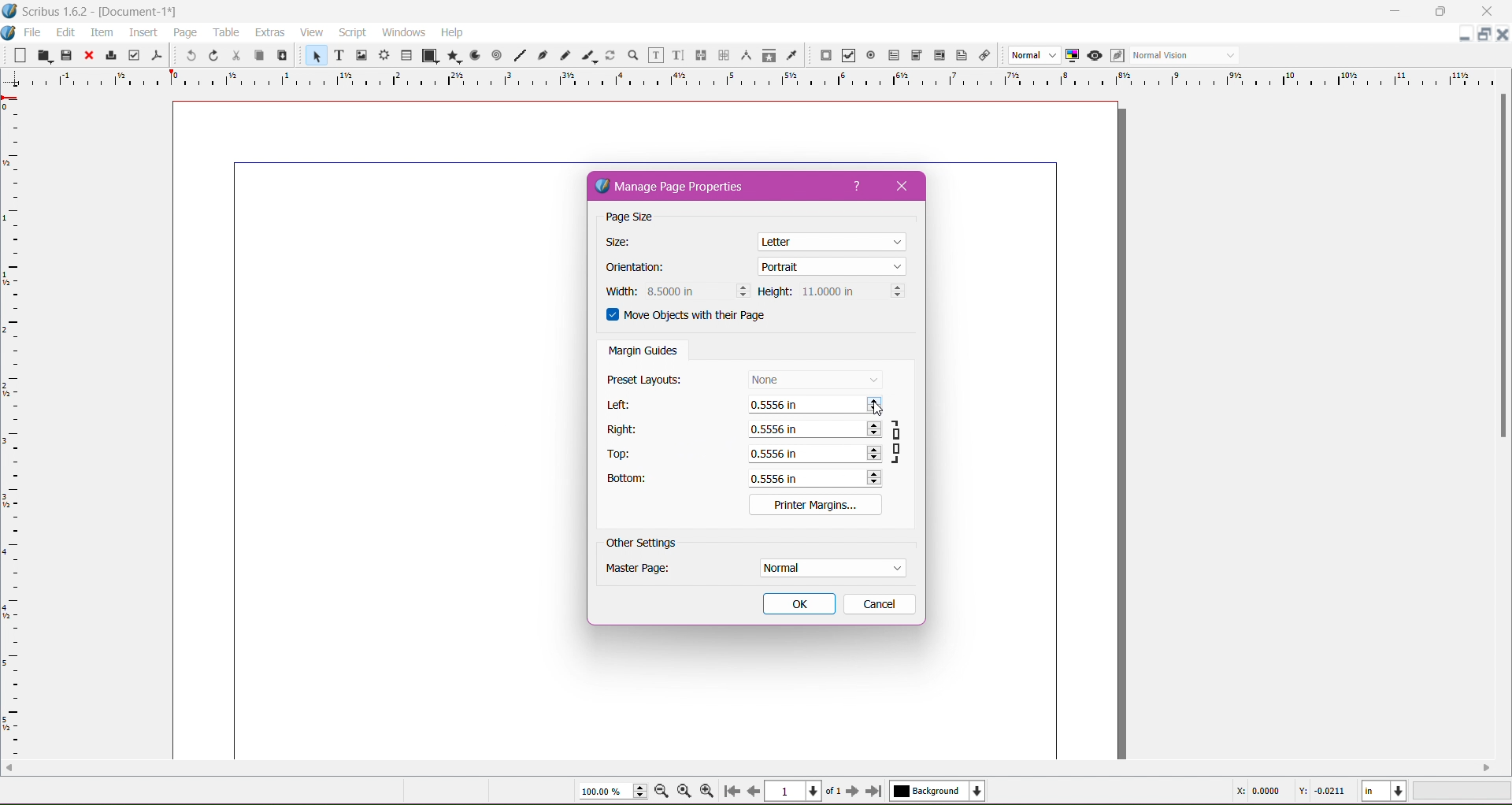  Describe the element at coordinates (352, 32) in the screenshot. I see `Script` at that location.